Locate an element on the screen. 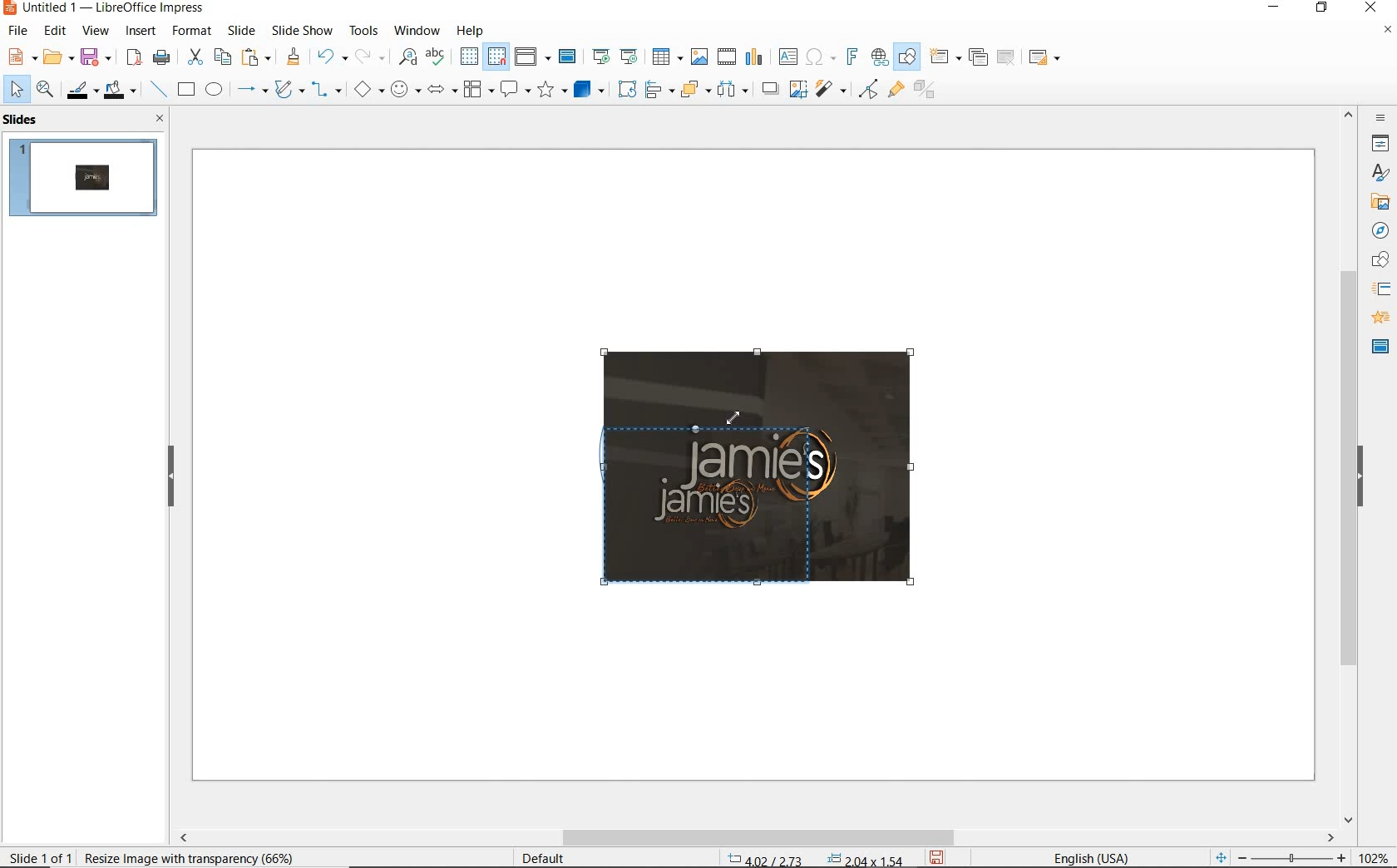 The width and height of the screenshot is (1397, 868). insert is located at coordinates (141, 32).